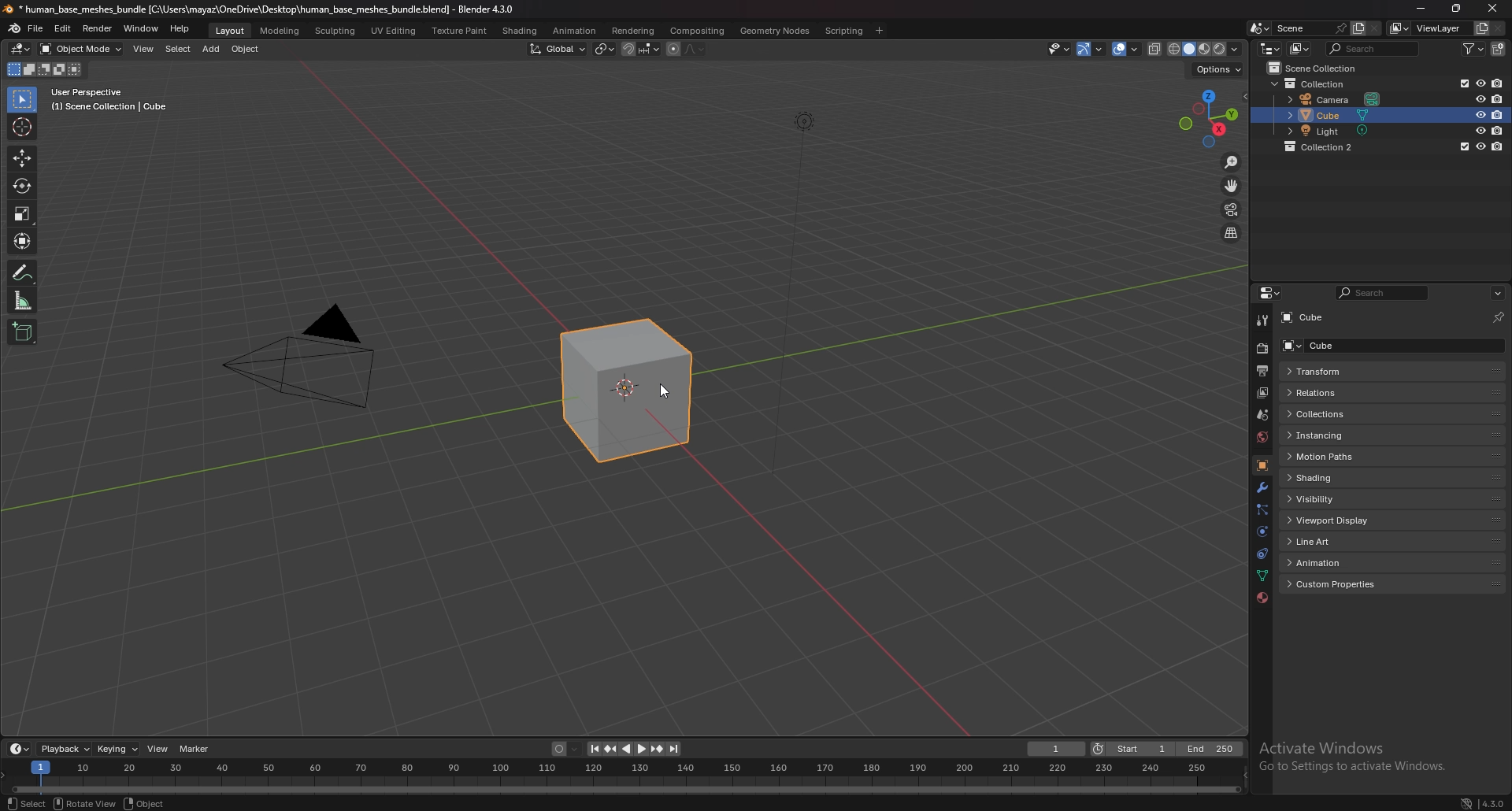 The height and width of the screenshot is (811, 1512). What do you see at coordinates (24, 100) in the screenshot?
I see `select` at bounding box center [24, 100].